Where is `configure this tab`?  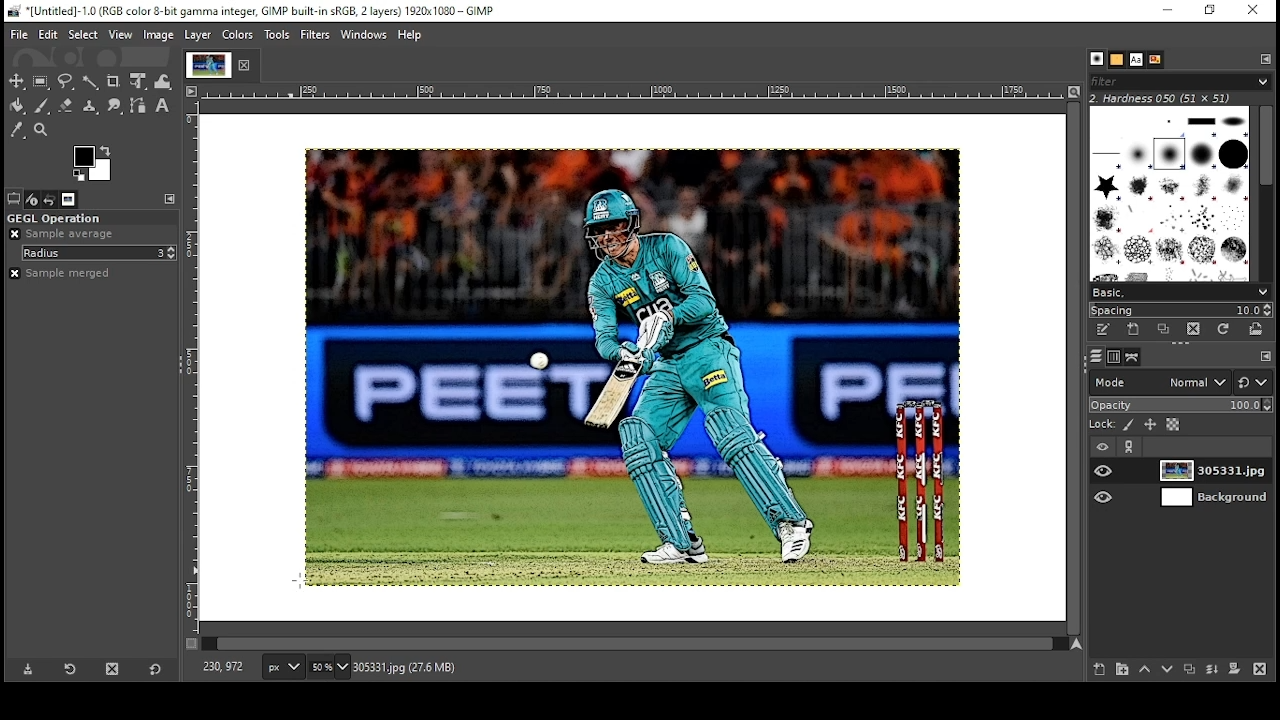 configure this tab is located at coordinates (1263, 59).